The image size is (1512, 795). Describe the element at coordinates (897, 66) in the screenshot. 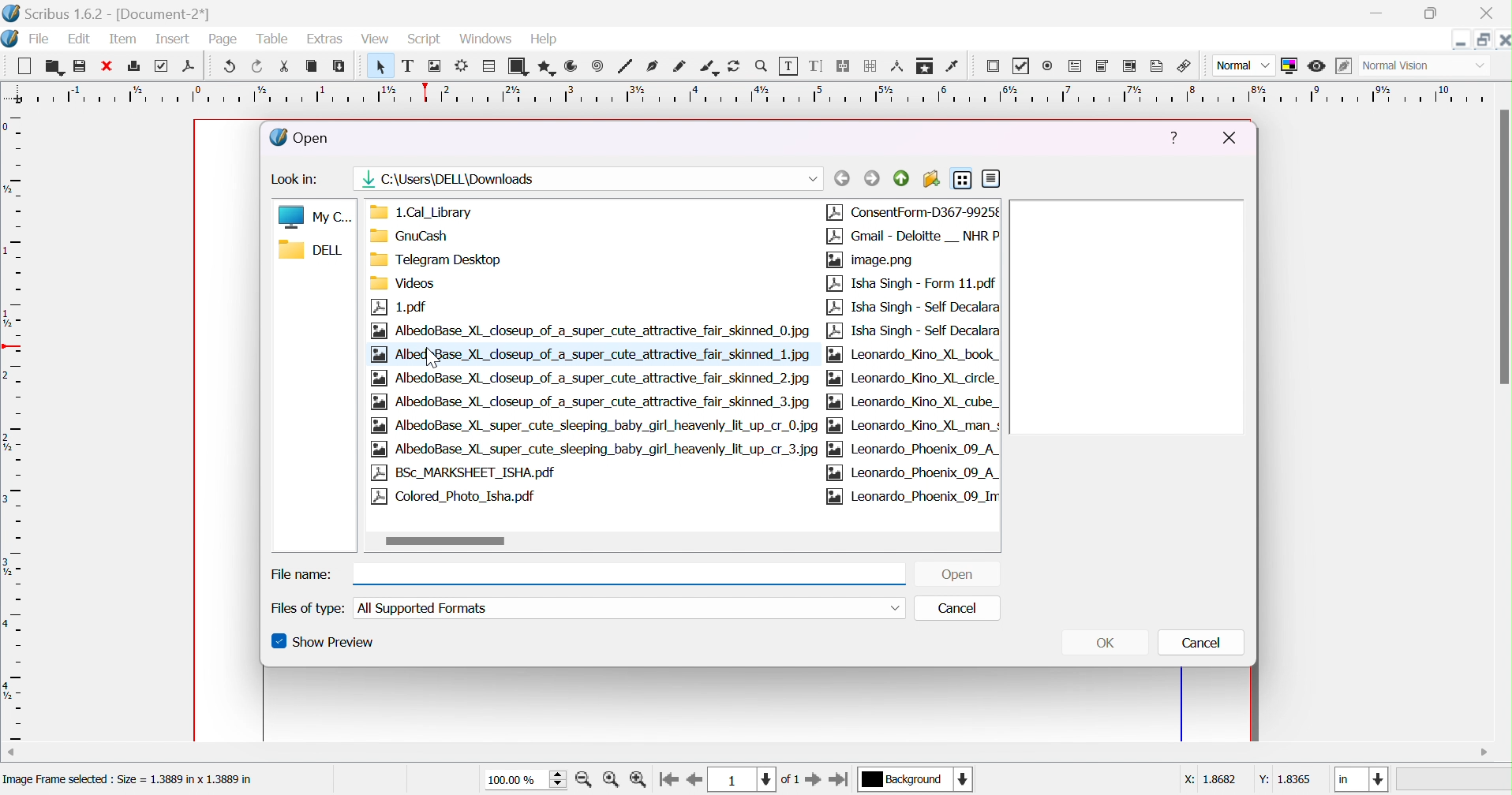

I see `measurements` at that location.